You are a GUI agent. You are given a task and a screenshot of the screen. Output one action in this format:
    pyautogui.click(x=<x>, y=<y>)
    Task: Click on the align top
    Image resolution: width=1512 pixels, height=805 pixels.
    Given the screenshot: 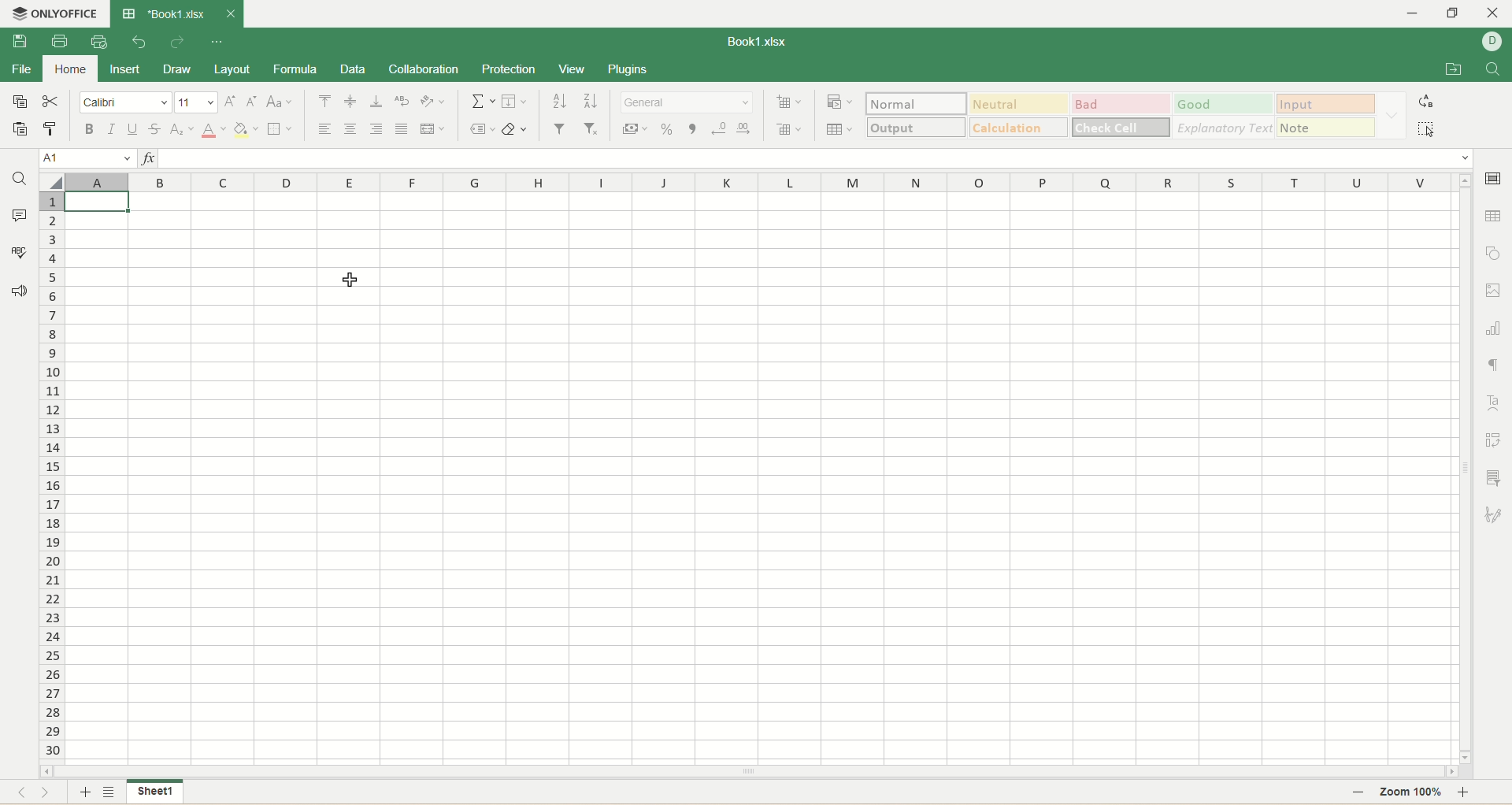 What is the action you would take?
    pyautogui.click(x=326, y=101)
    